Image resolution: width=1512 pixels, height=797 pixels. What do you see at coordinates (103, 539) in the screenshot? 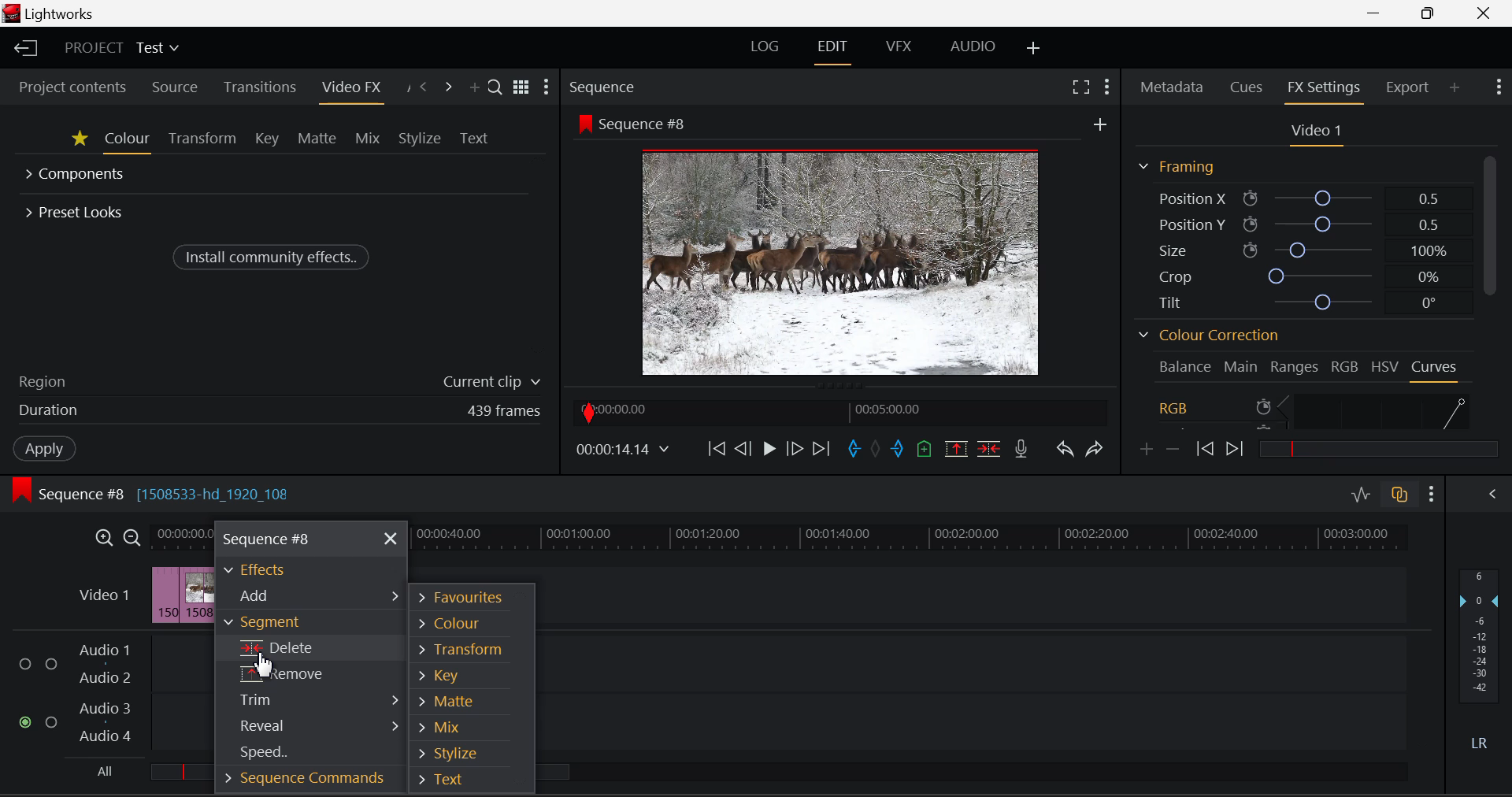
I see `Timeline Zoom In` at bounding box center [103, 539].